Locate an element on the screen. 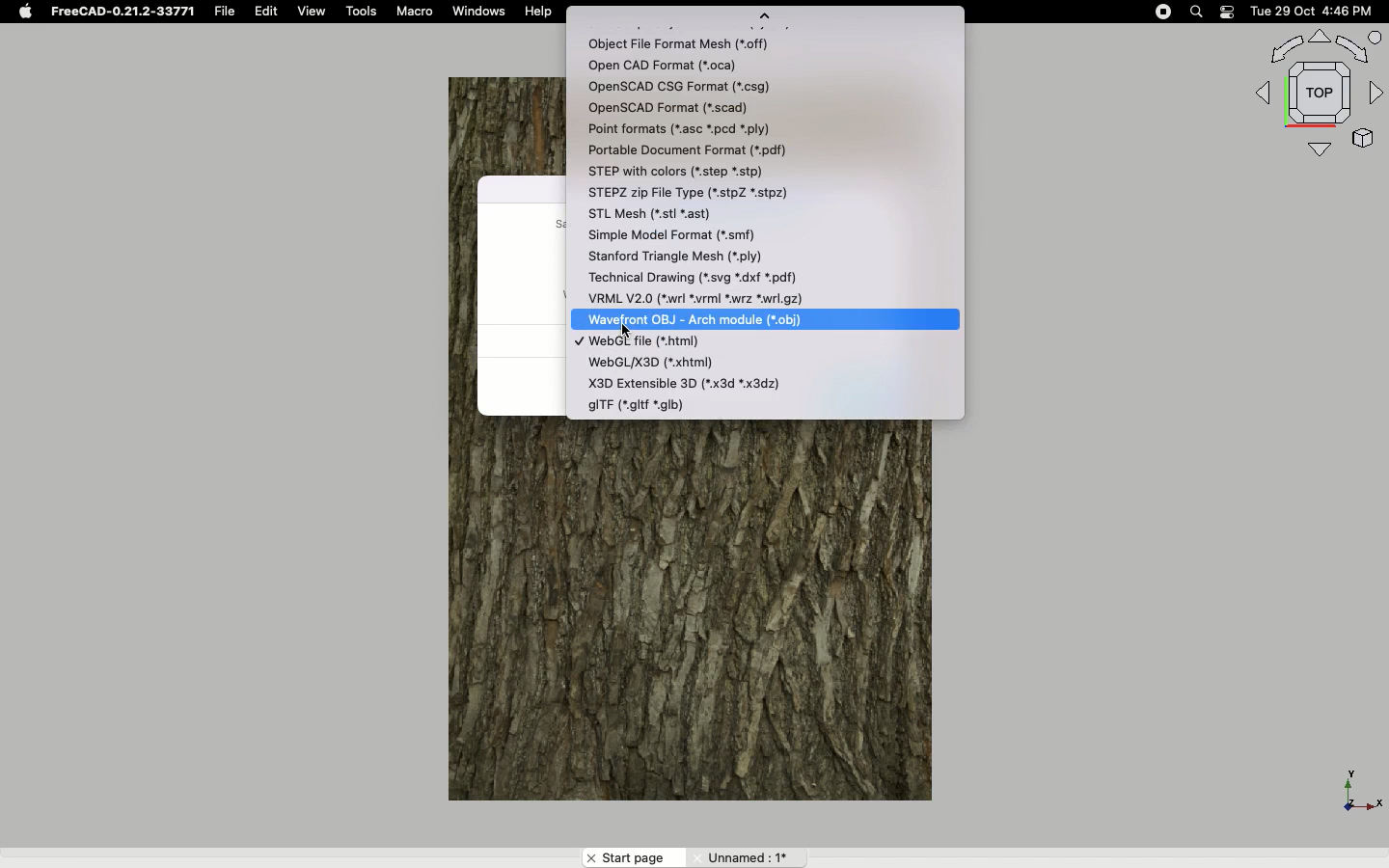  STEP with colors(*.step*.stp) is located at coordinates (709, 173).